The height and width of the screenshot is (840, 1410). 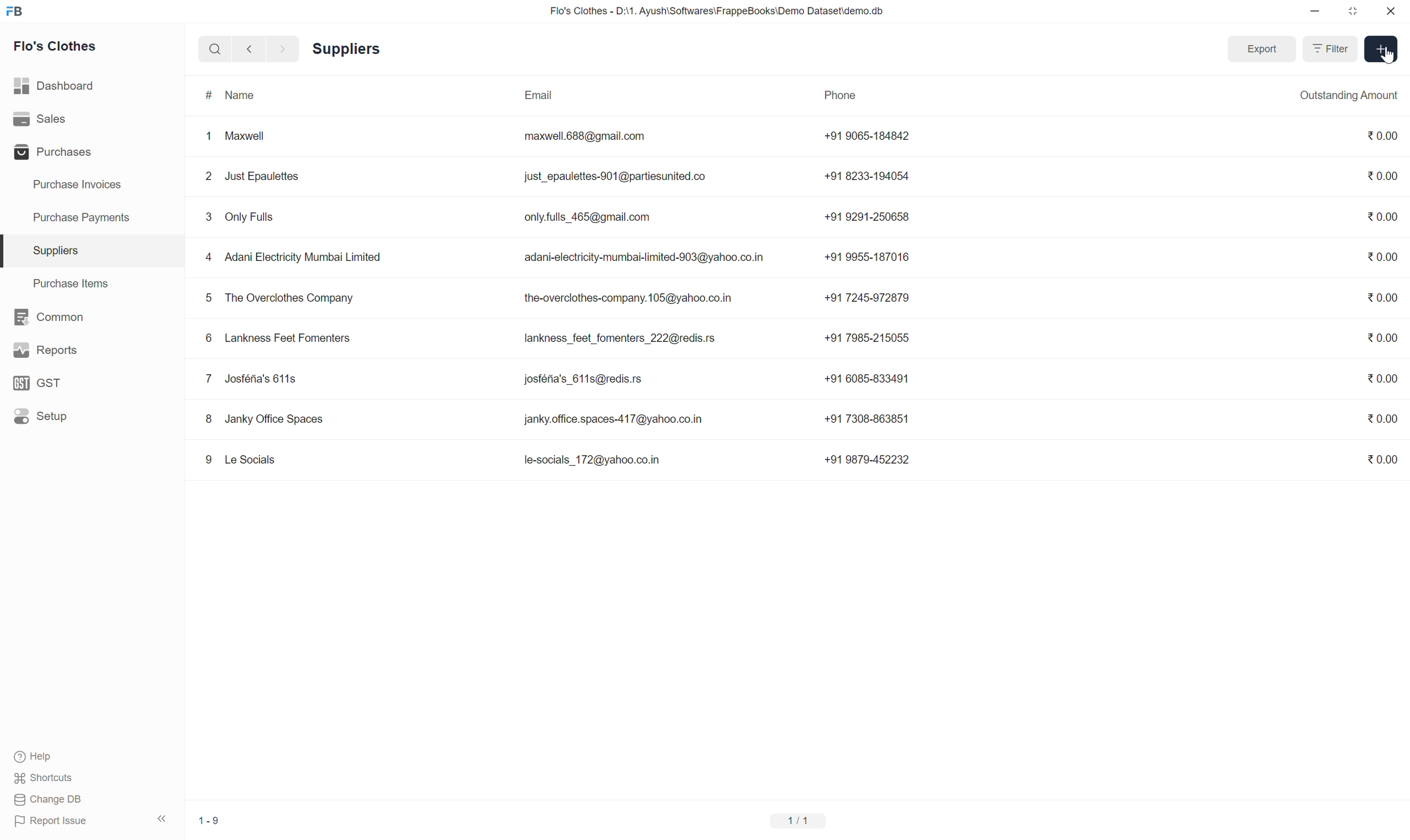 What do you see at coordinates (1382, 256) in the screenshot?
I see `0.00` at bounding box center [1382, 256].